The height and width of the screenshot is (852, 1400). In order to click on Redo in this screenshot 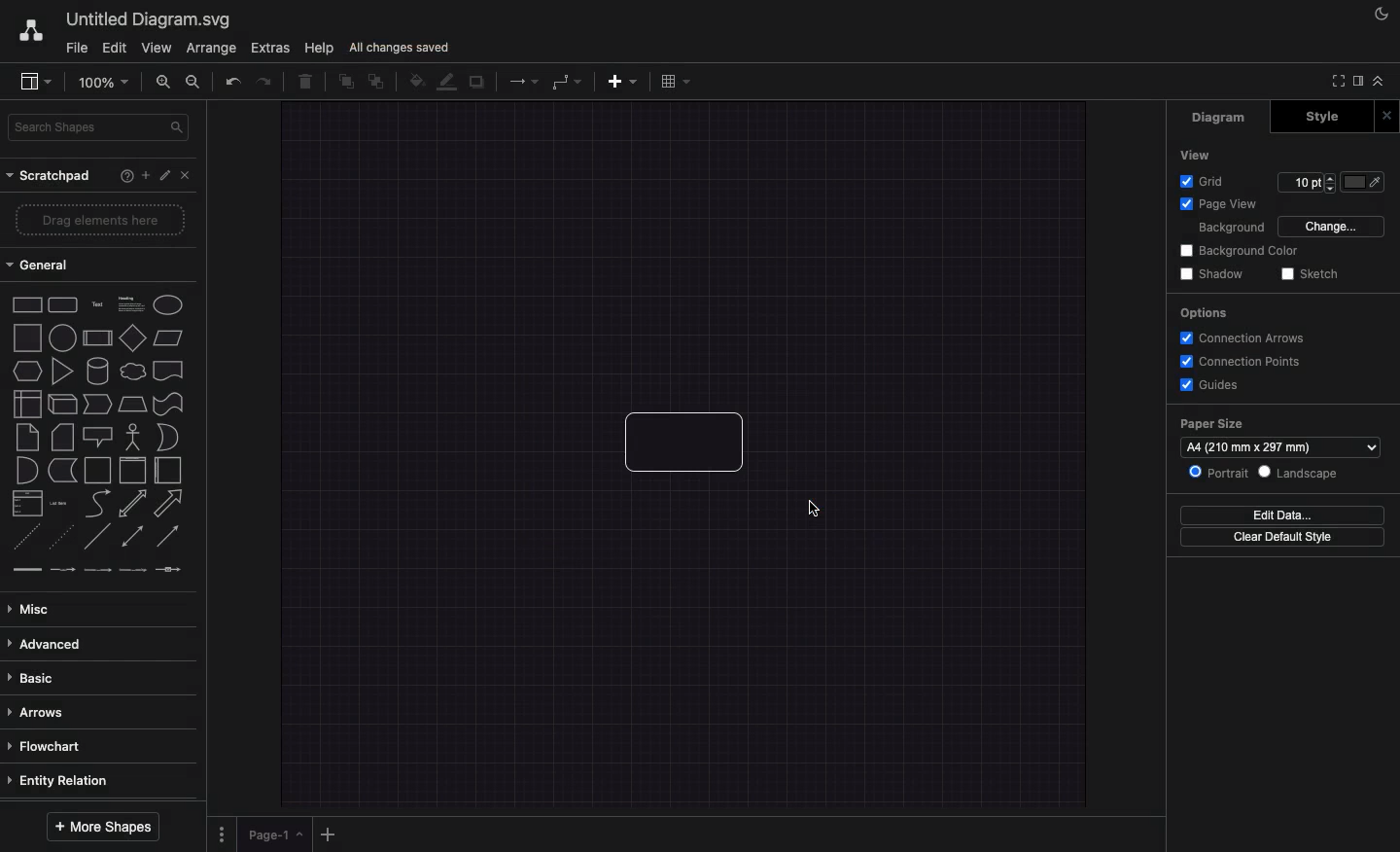, I will do `click(264, 81)`.